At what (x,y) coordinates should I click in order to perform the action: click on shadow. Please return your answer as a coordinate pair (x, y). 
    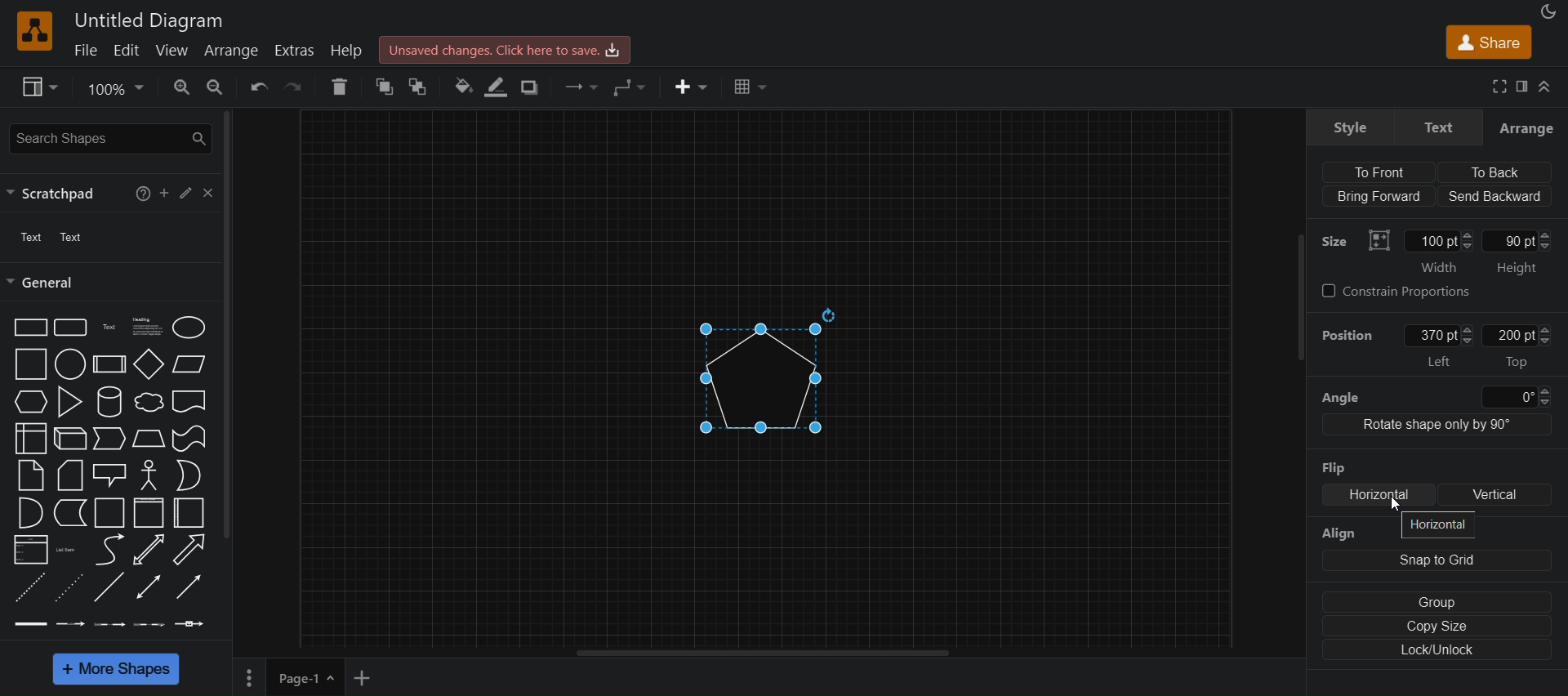
    Looking at the image, I should click on (531, 87).